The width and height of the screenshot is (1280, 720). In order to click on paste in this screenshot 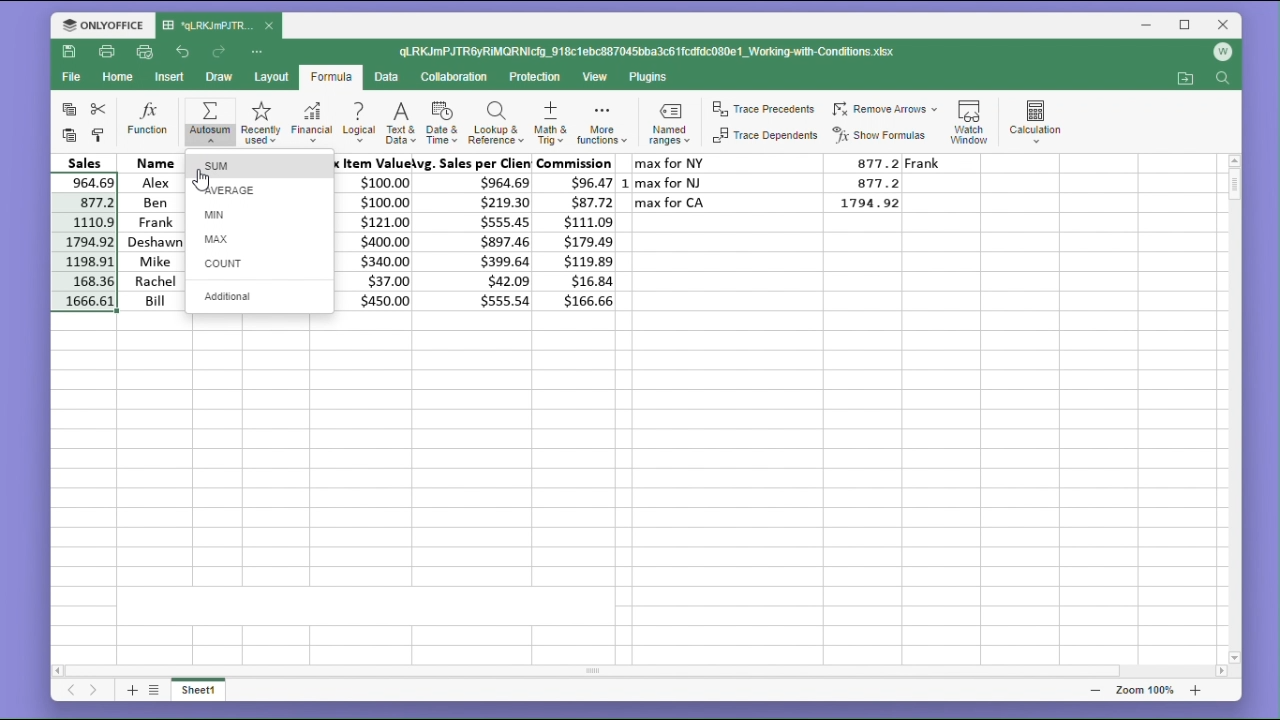, I will do `click(66, 136)`.